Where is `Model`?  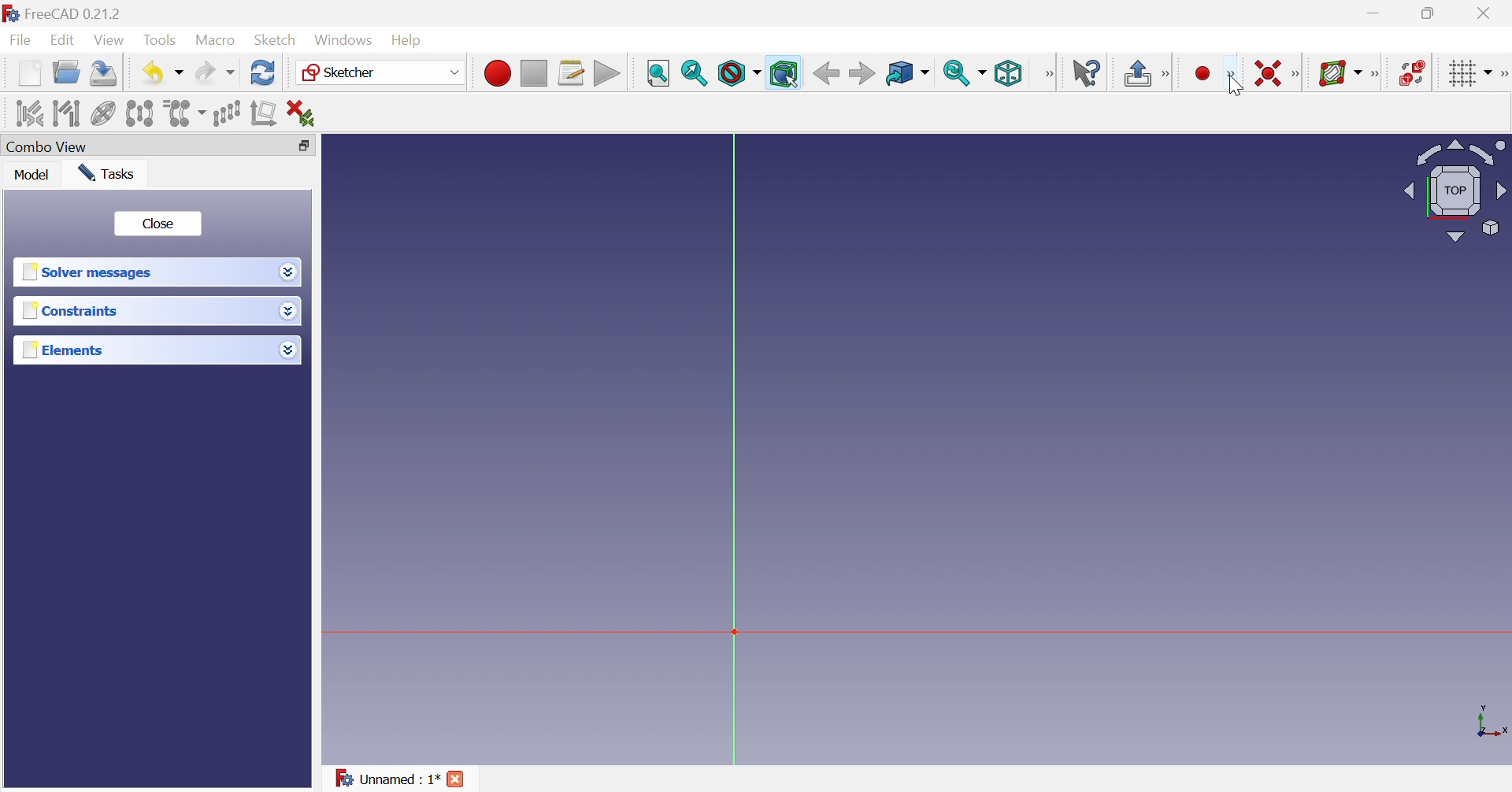 Model is located at coordinates (31, 175).